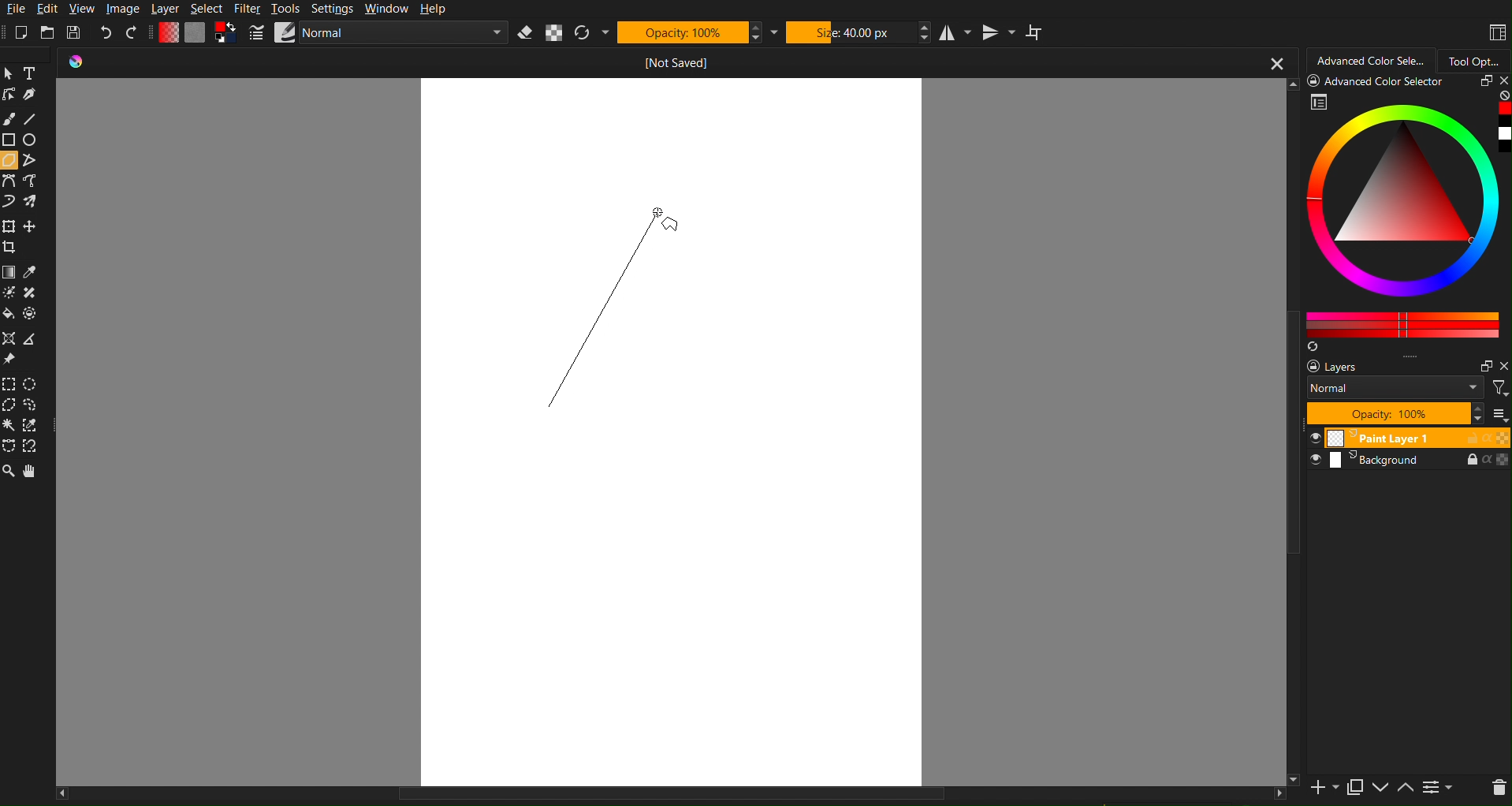 This screenshot has height=806, width=1512. I want to click on close button, so click(1276, 62).